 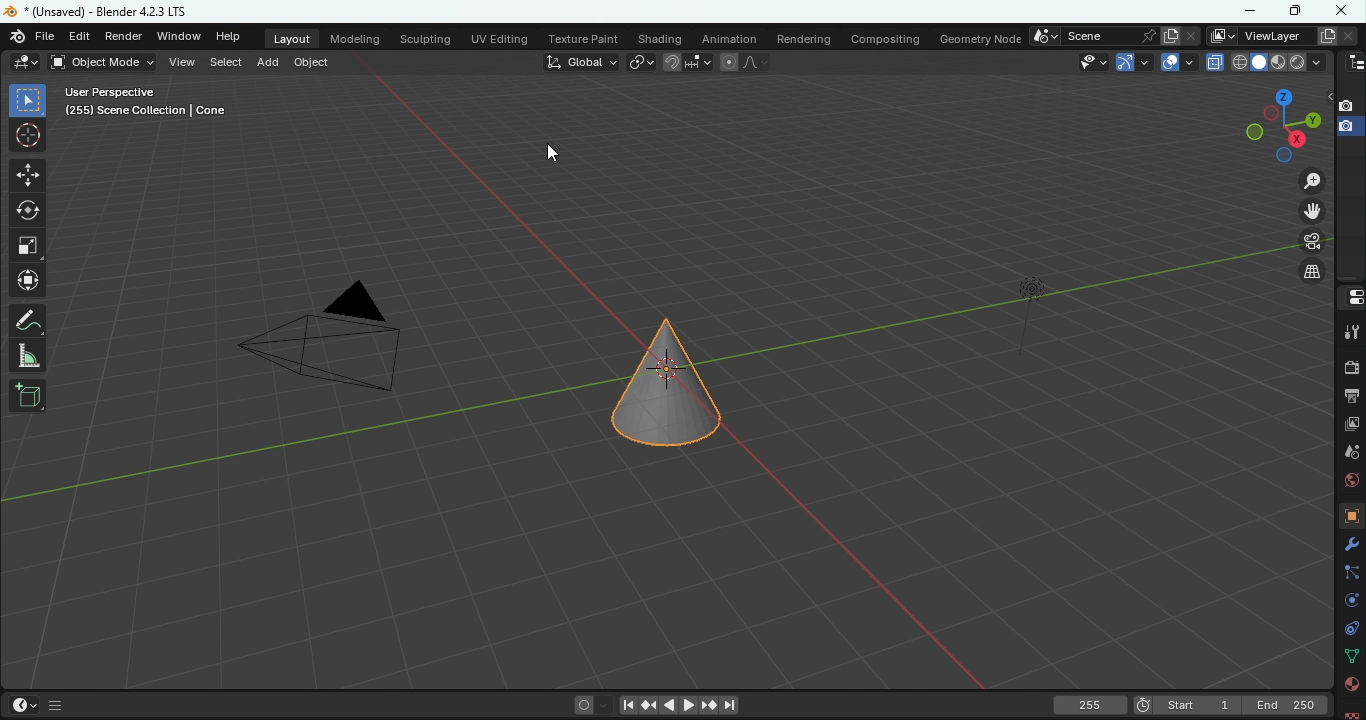 I want to click on GUI show/hide, so click(x=58, y=706).